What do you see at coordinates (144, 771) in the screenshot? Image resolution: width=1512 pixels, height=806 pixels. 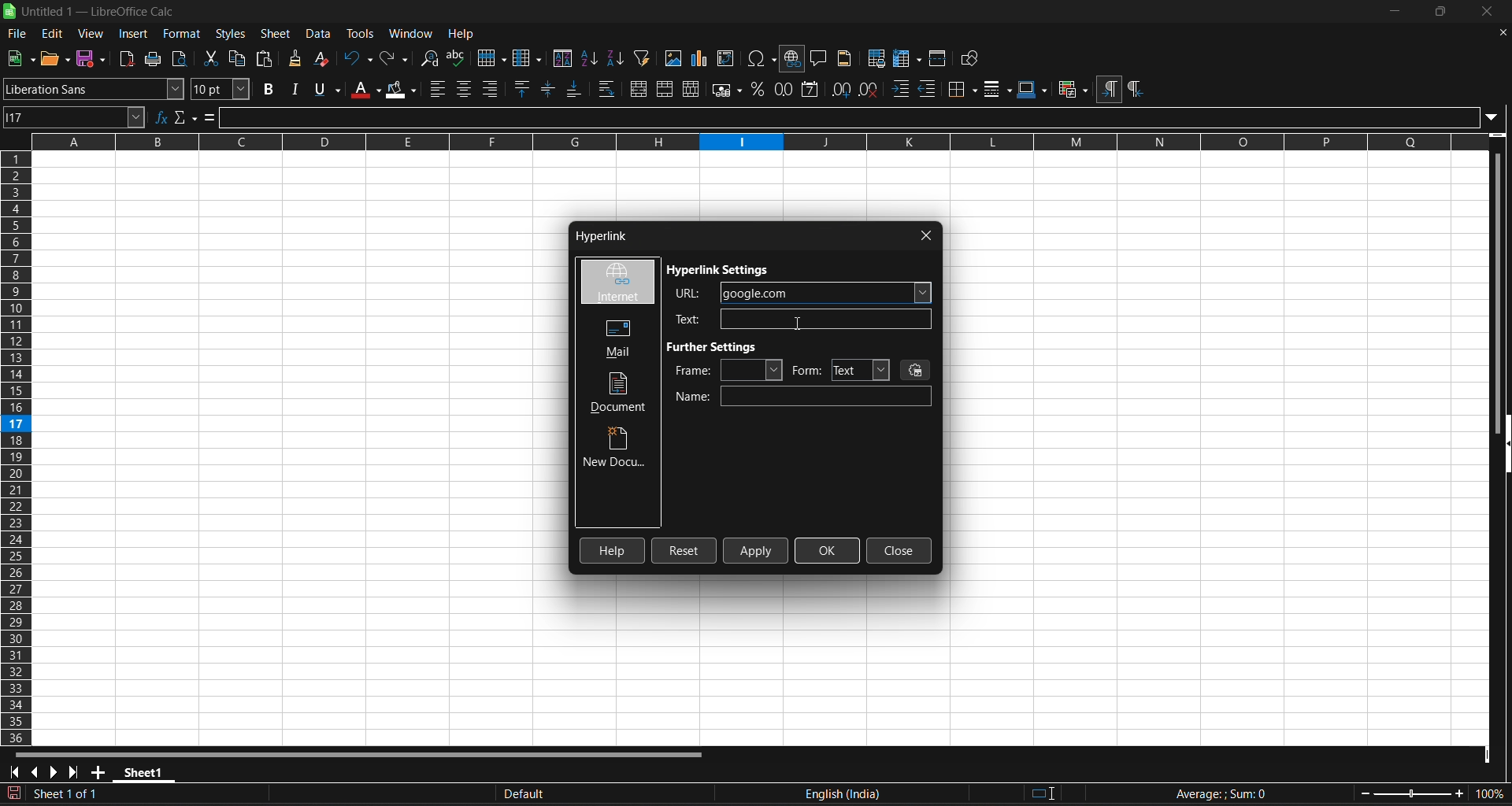 I see `sheet 1` at bounding box center [144, 771].